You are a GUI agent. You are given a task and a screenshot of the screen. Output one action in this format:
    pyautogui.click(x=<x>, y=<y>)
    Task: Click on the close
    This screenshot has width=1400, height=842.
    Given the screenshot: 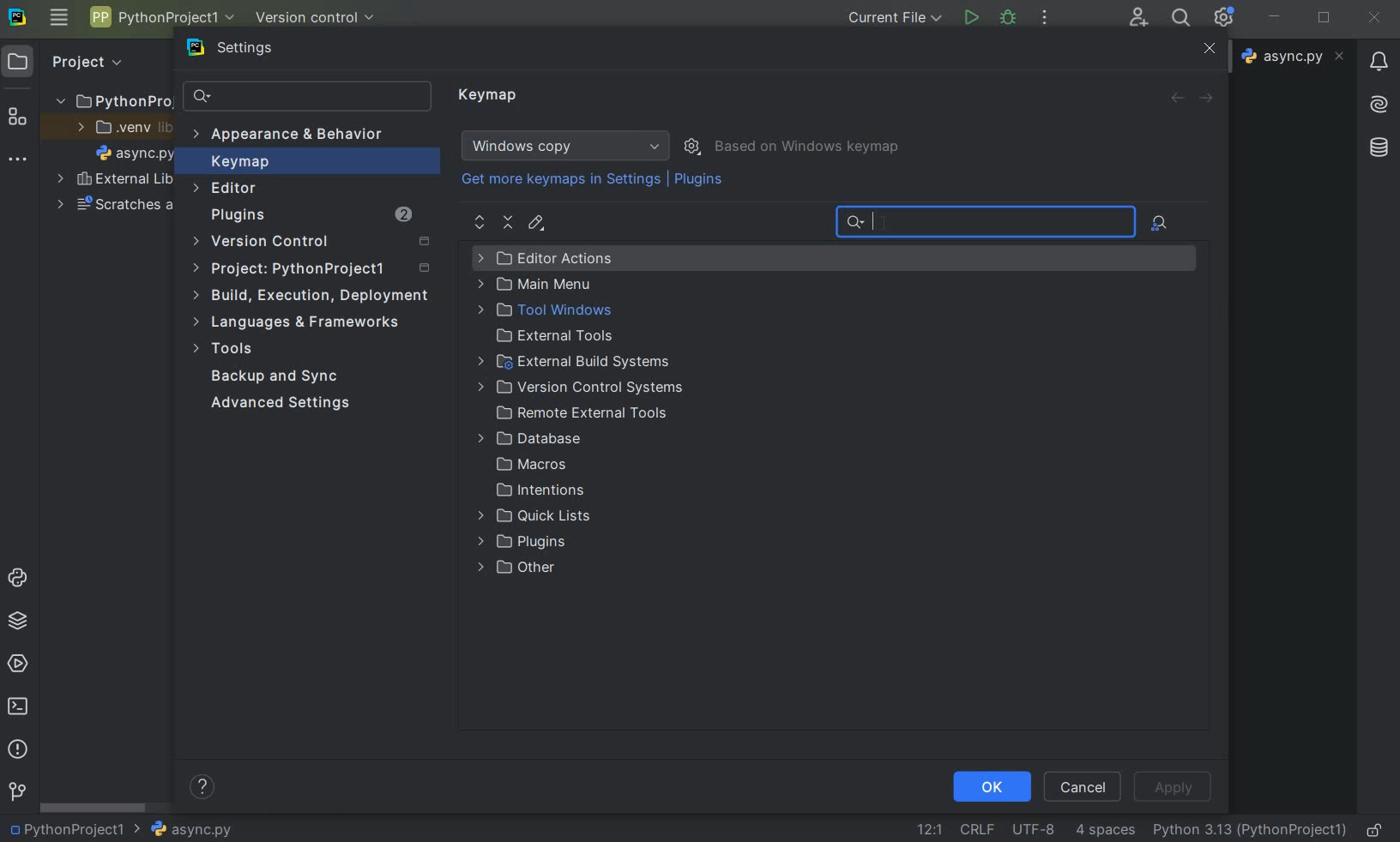 What is the action you would take?
    pyautogui.click(x=1374, y=18)
    